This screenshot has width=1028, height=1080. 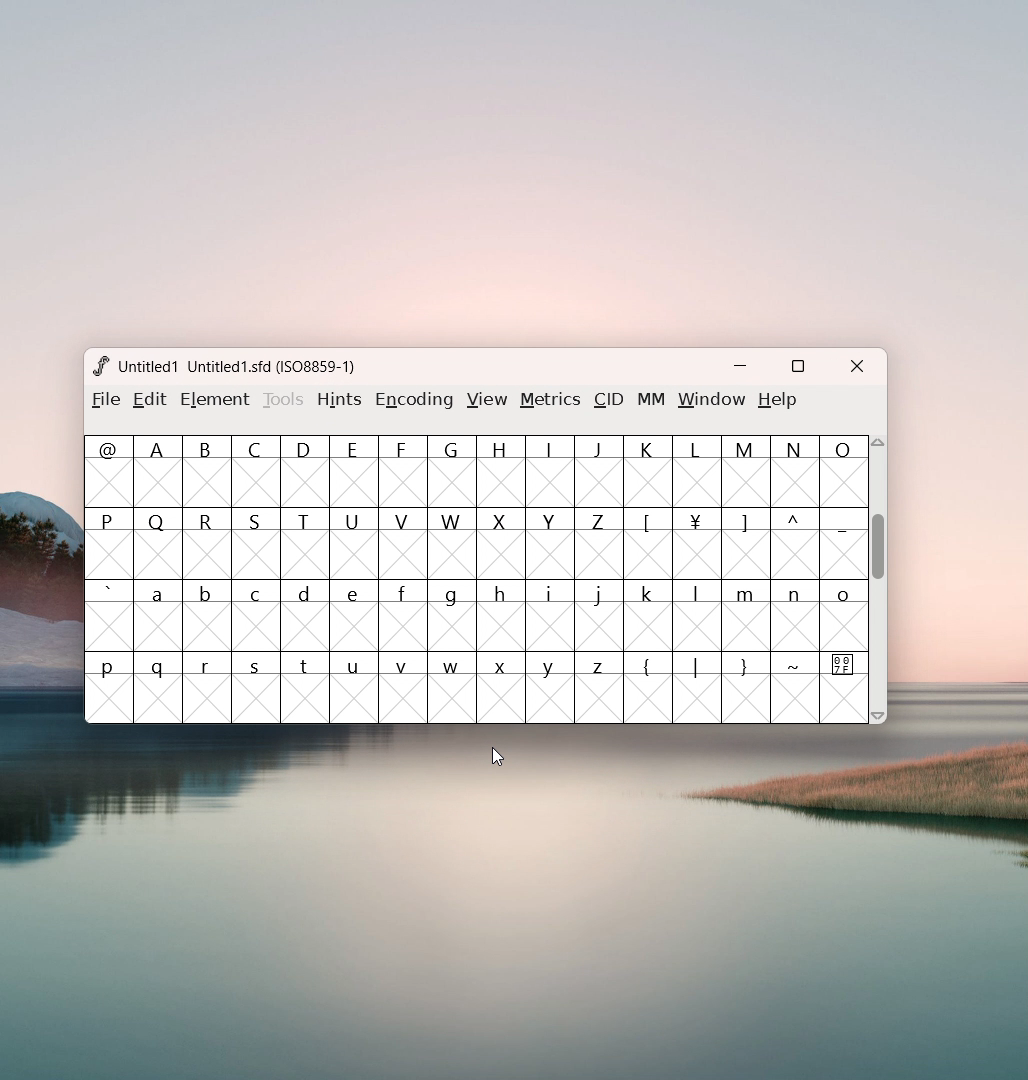 I want to click on B, so click(x=208, y=471).